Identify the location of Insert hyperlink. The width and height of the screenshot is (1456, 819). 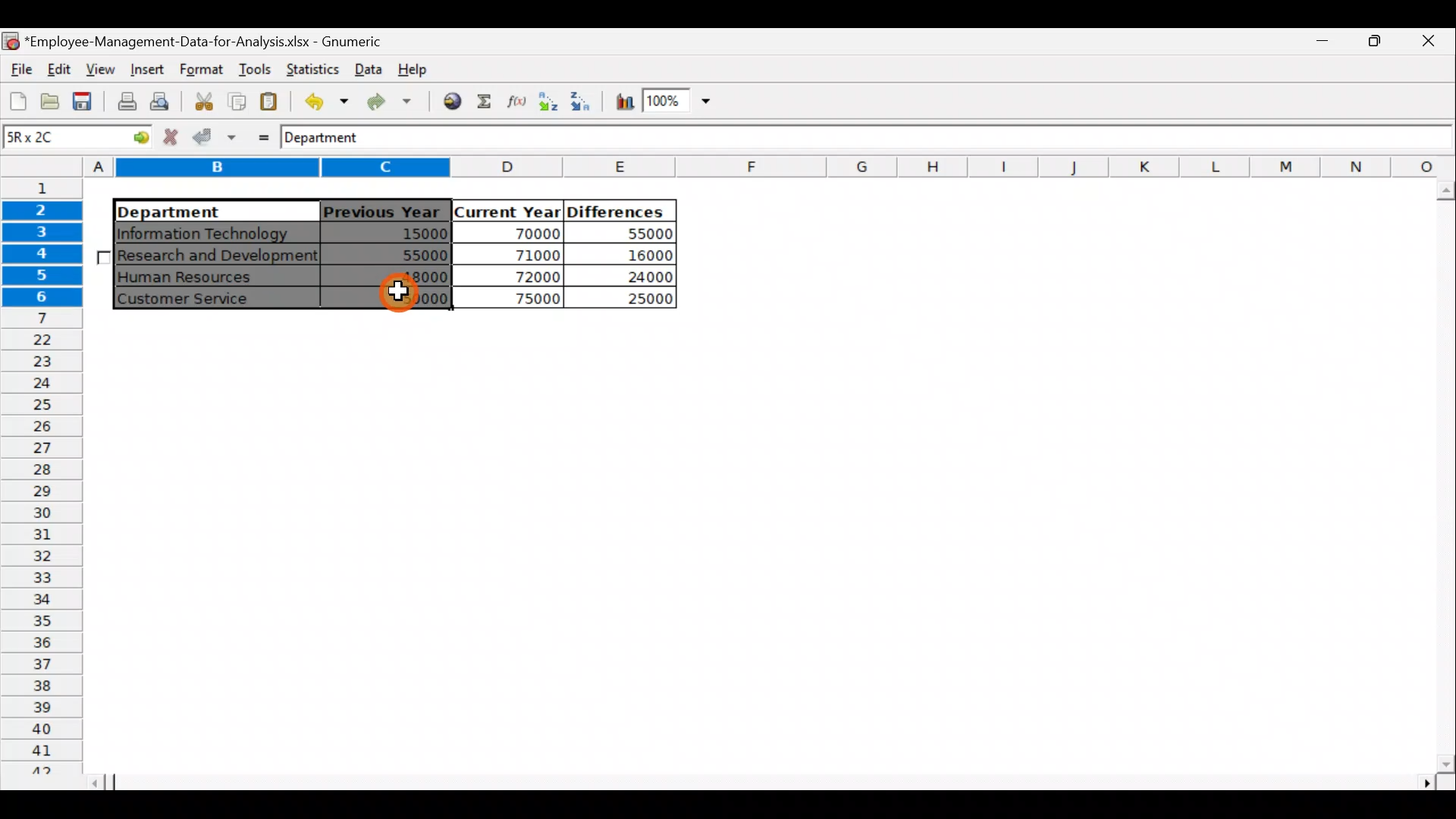
(453, 102).